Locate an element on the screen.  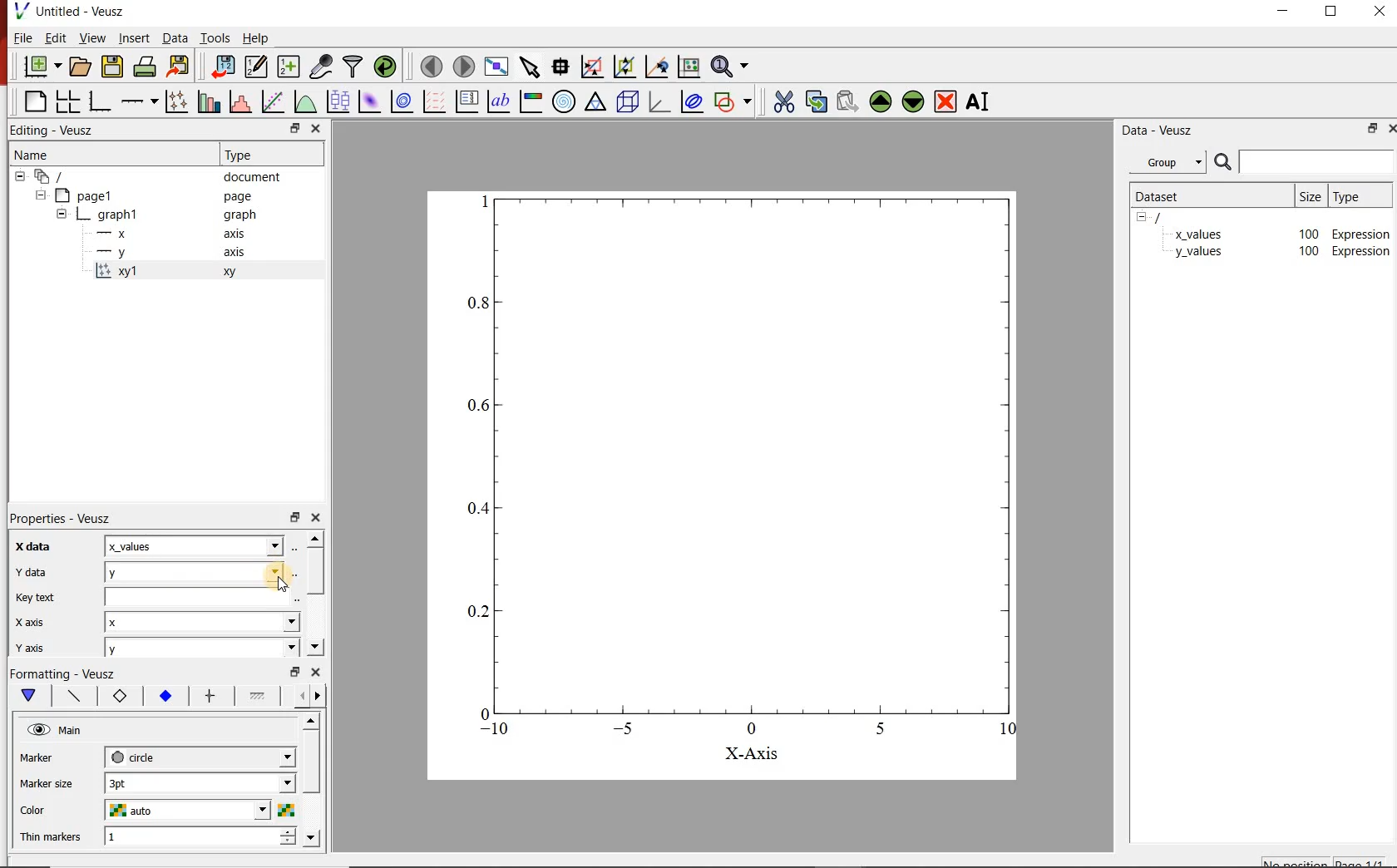
Color is located at coordinates (37, 811).